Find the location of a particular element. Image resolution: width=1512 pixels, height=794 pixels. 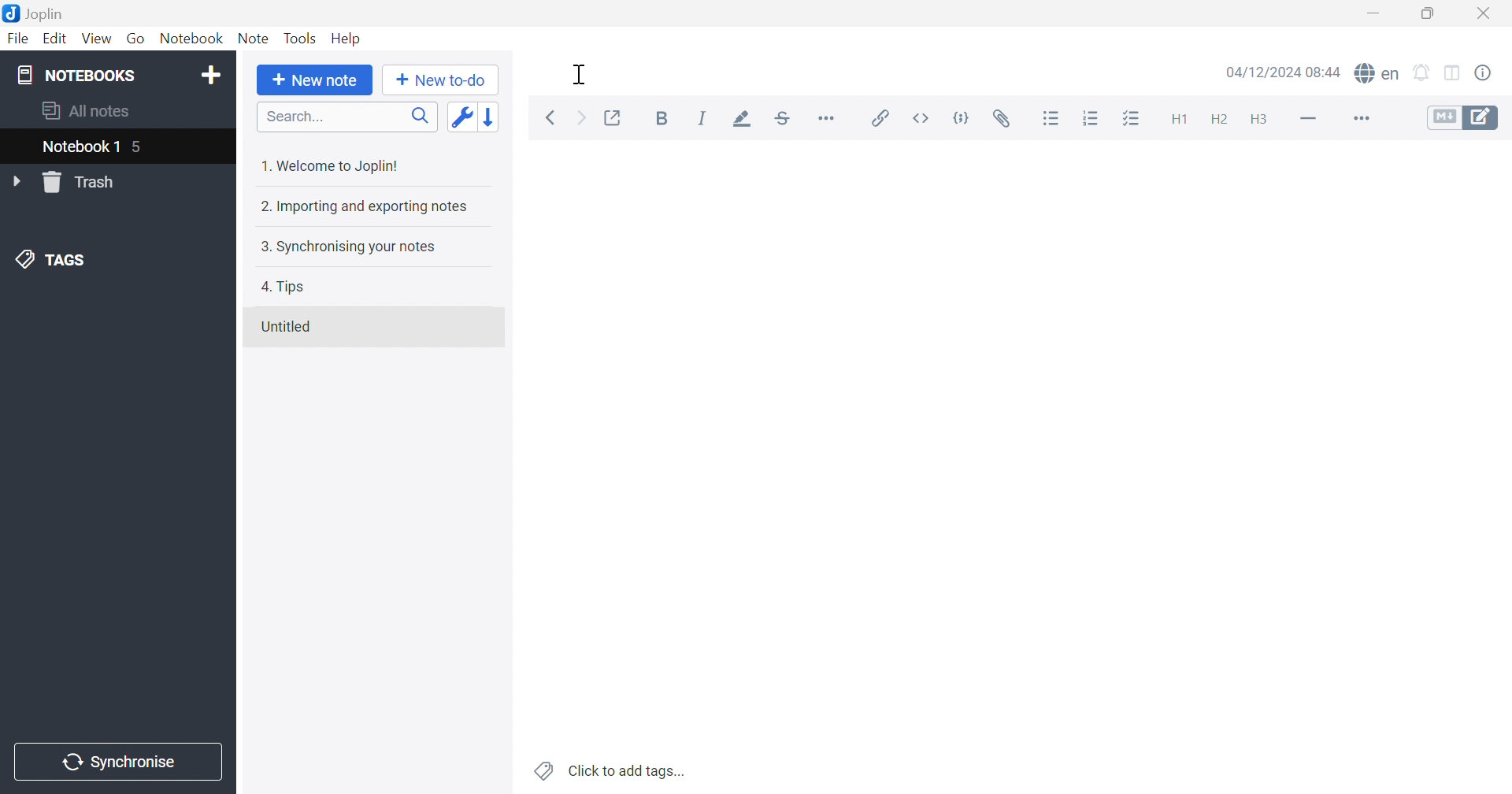

Forward is located at coordinates (580, 117).